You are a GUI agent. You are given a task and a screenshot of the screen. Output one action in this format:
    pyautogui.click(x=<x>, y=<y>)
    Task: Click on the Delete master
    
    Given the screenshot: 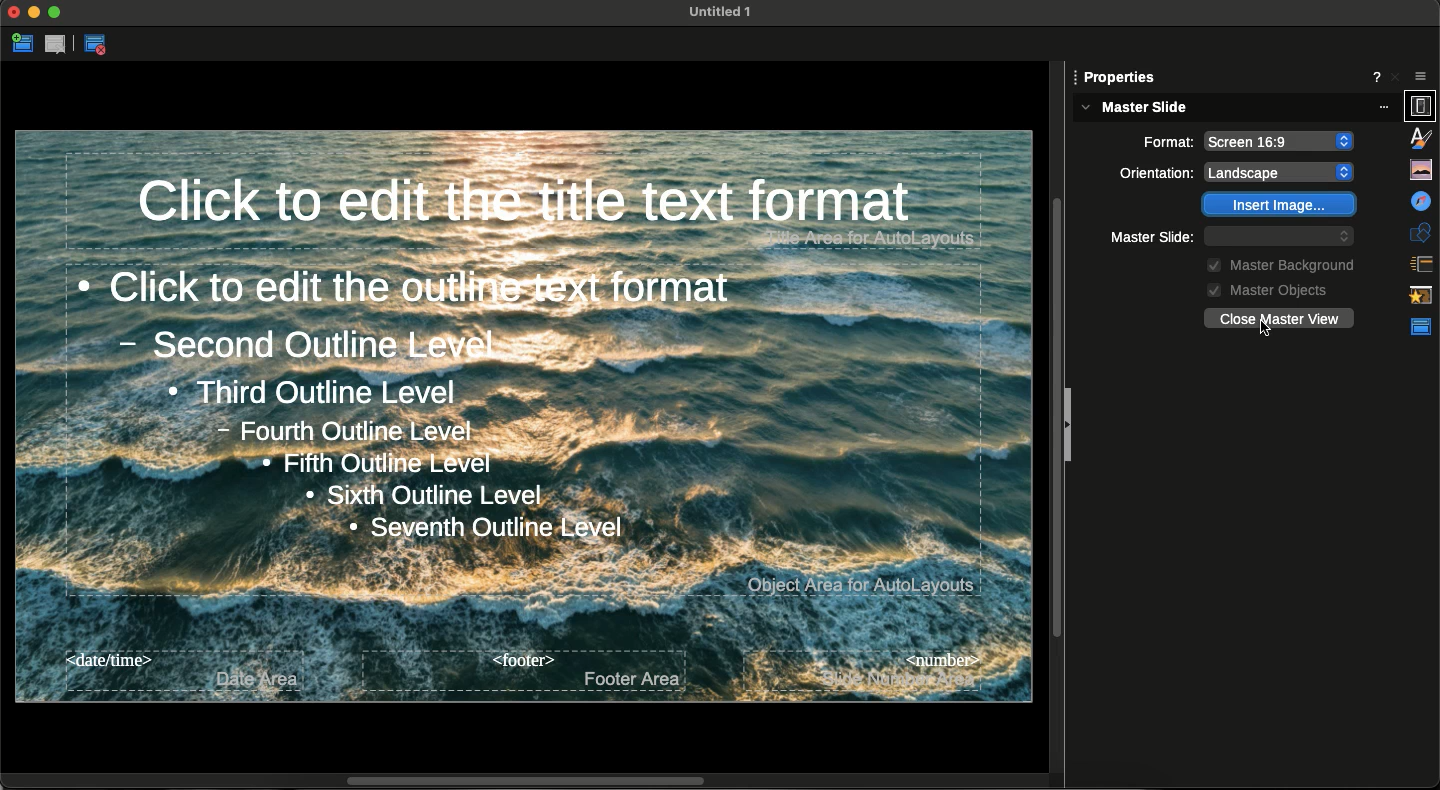 What is the action you would take?
    pyautogui.click(x=58, y=45)
    